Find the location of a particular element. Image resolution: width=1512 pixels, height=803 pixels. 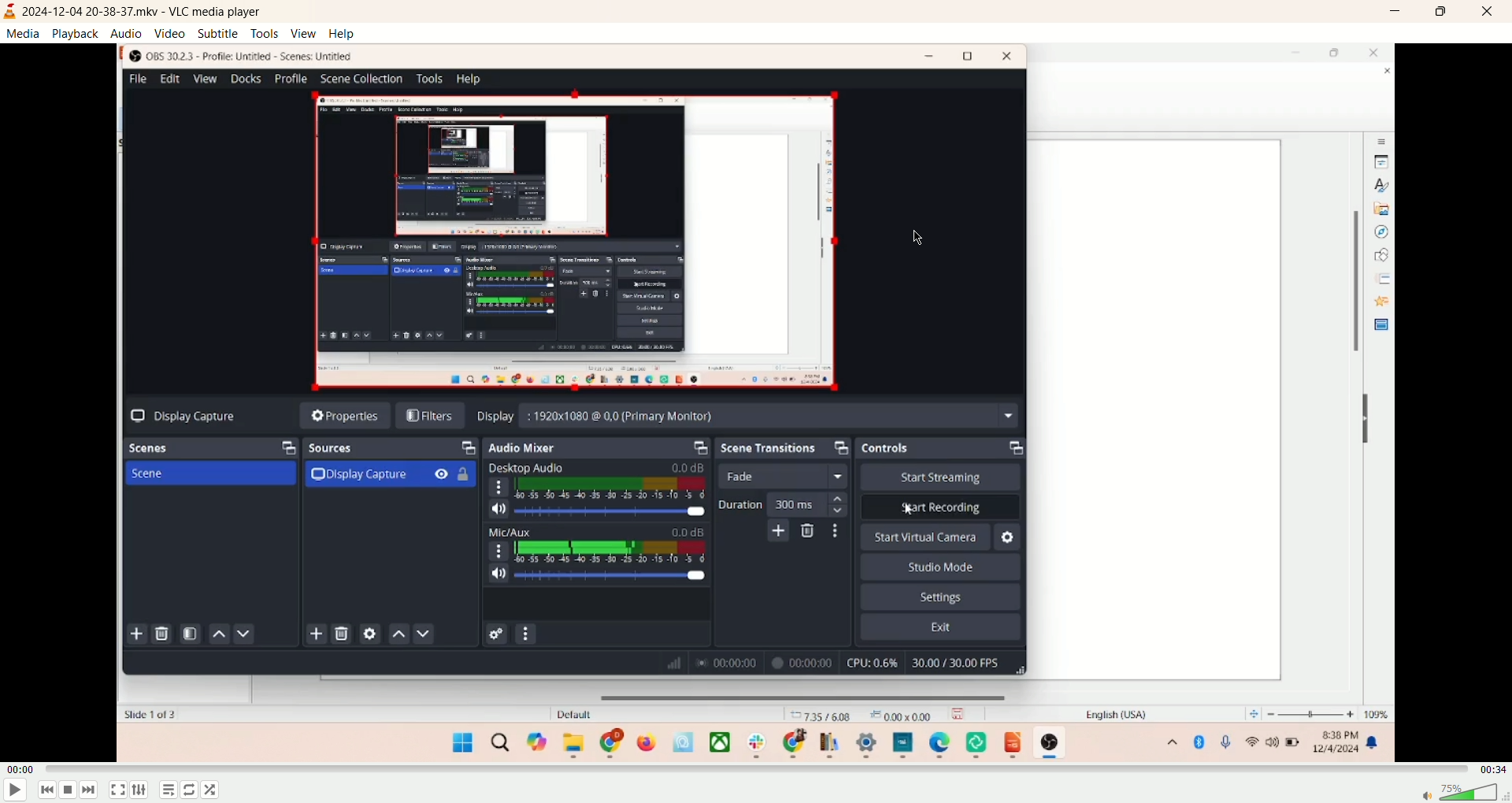

minimize is located at coordinates (1392, 15).